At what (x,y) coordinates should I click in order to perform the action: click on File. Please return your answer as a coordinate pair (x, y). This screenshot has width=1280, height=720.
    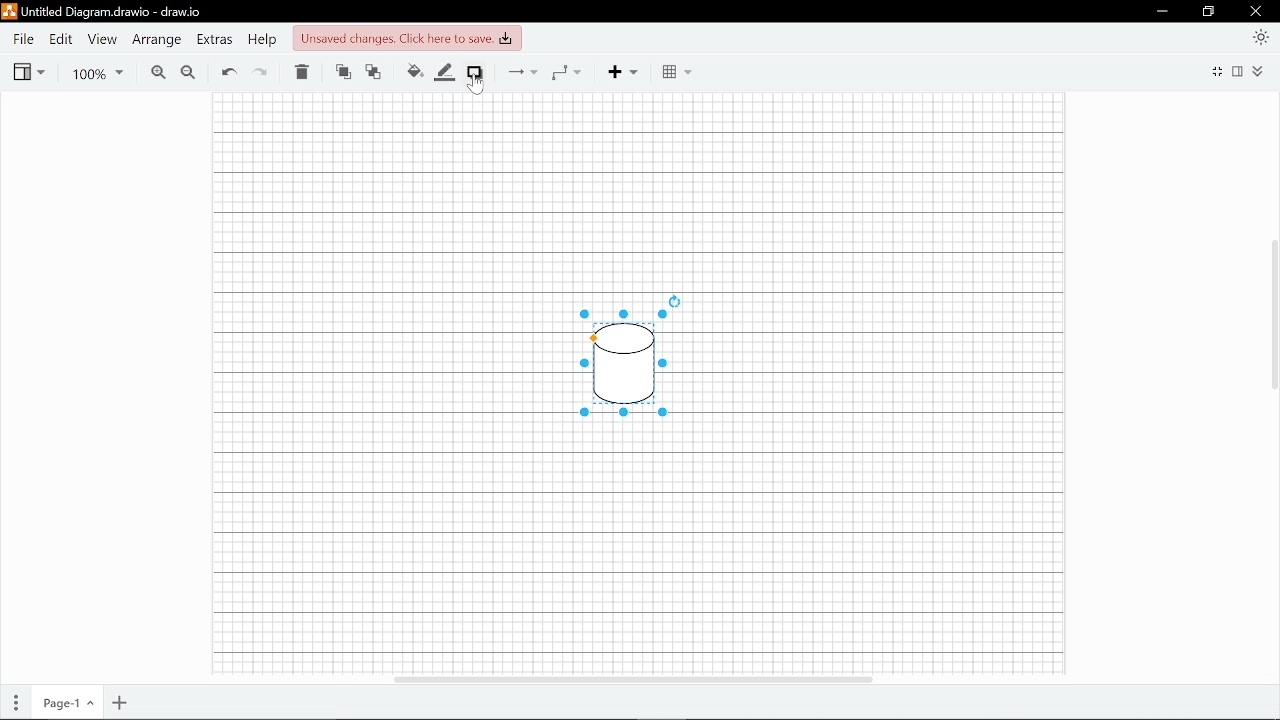
    Looking at the image, I should click on (23, 39).